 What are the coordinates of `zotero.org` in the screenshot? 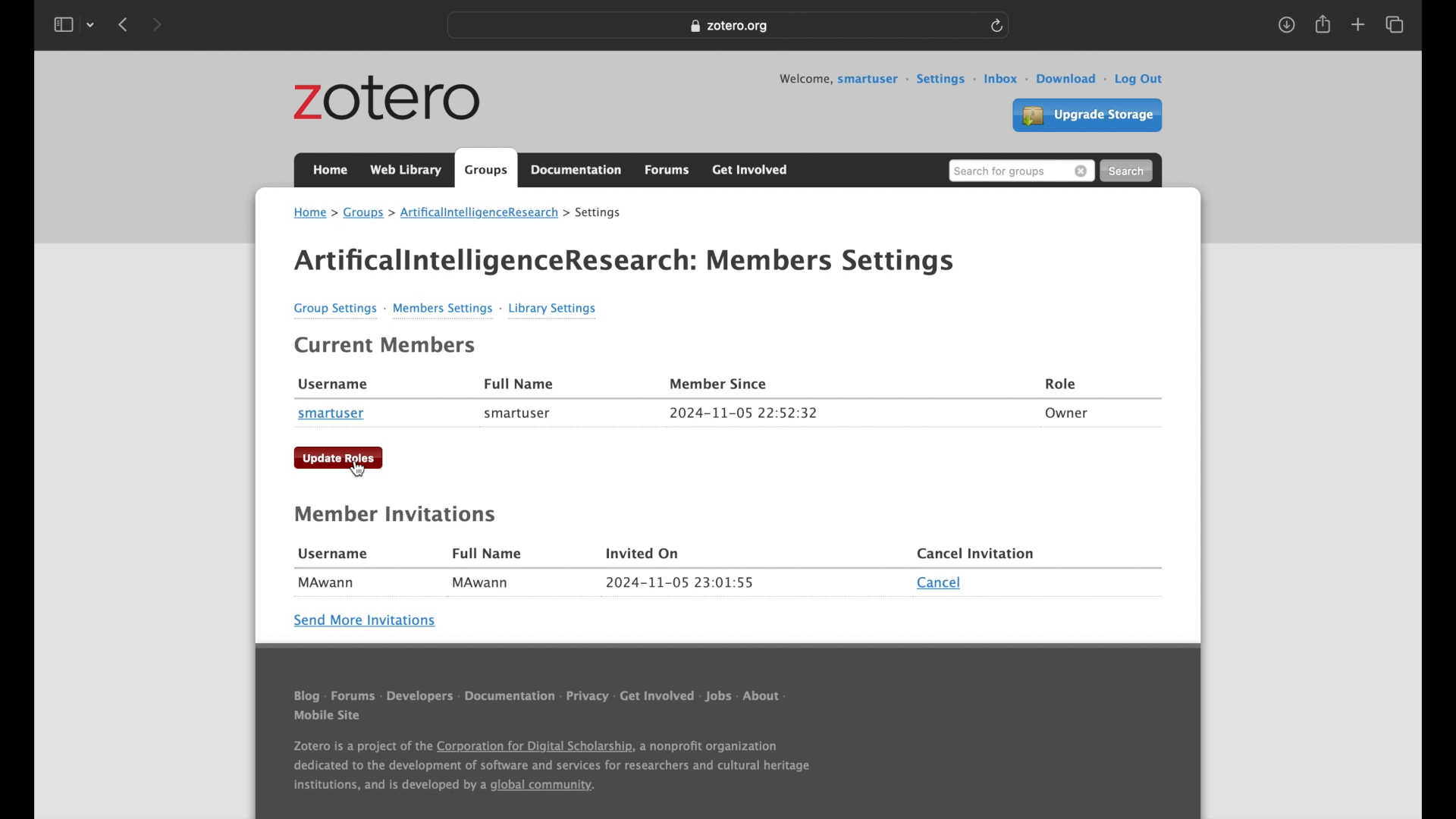 It's located at (732, 27).